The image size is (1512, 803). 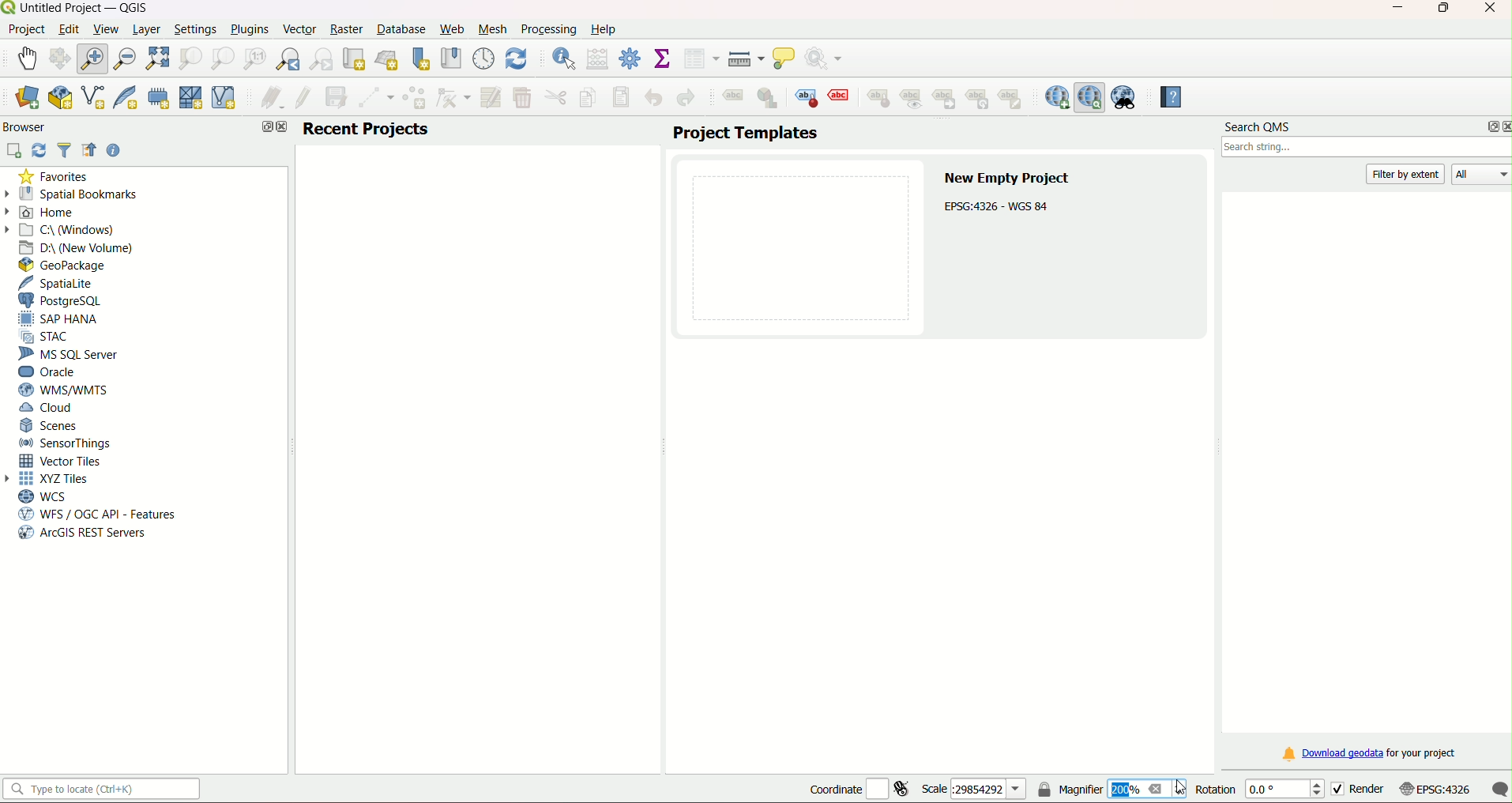 I want to click on text, so click(x=999, y=206).